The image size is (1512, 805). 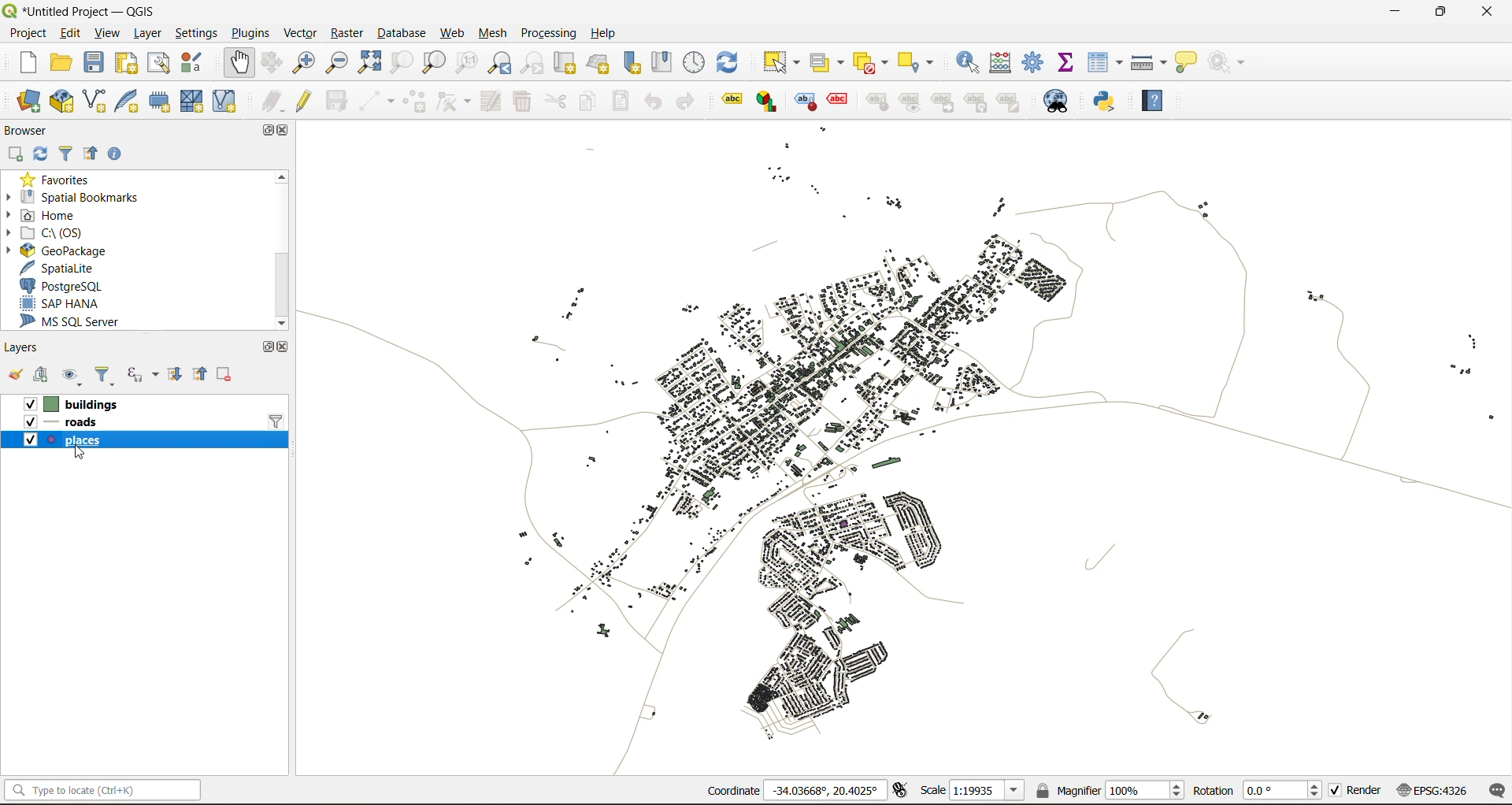 What do you see at coordinates (283, 349) in the screenshot?
I see `close` at bounding box center [283, 349].